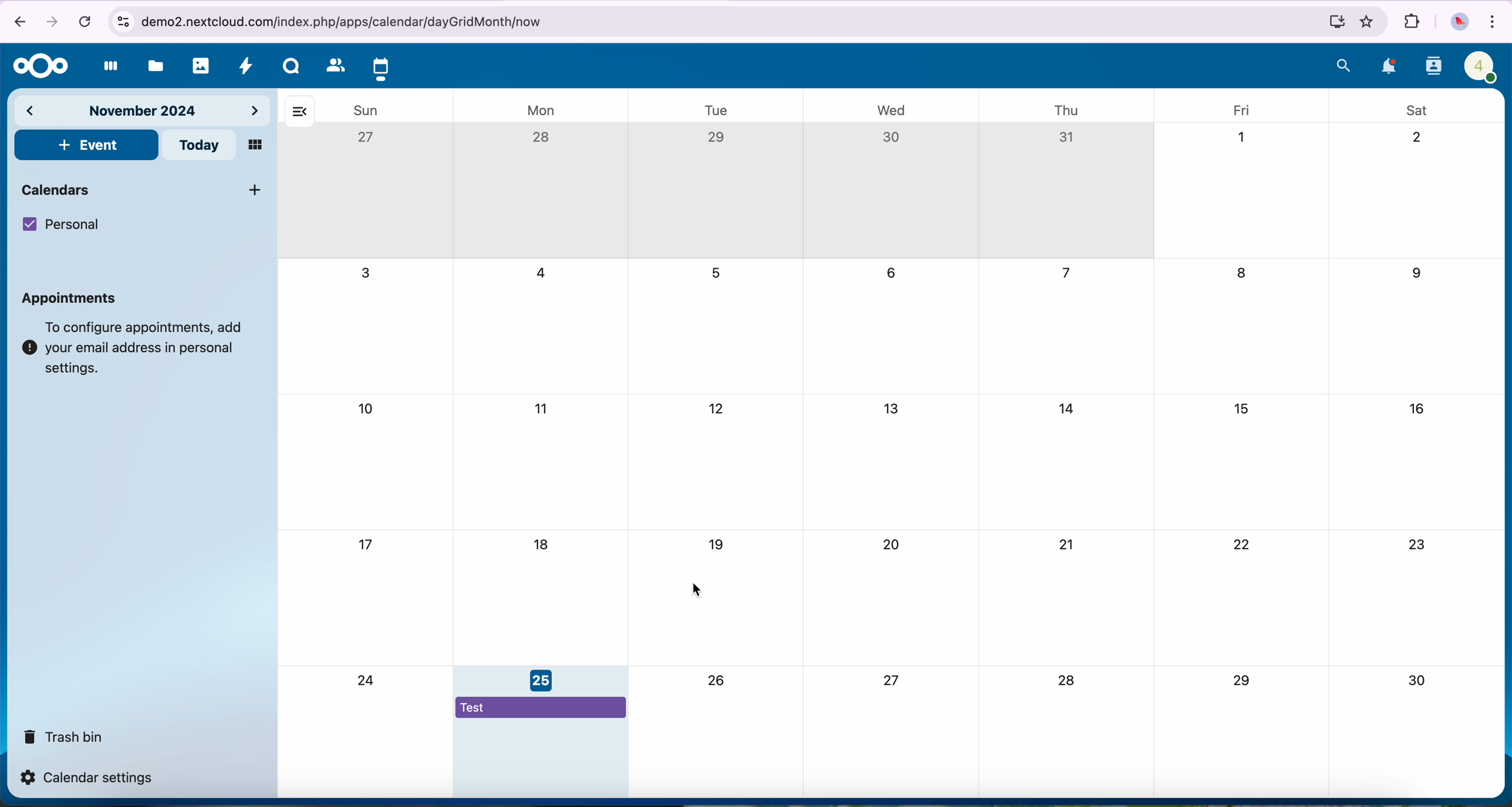 This screenshot has width=1512, height=807. Describe the element at coordinates (713, 108) in the screenshot. I see `tue` at that location.